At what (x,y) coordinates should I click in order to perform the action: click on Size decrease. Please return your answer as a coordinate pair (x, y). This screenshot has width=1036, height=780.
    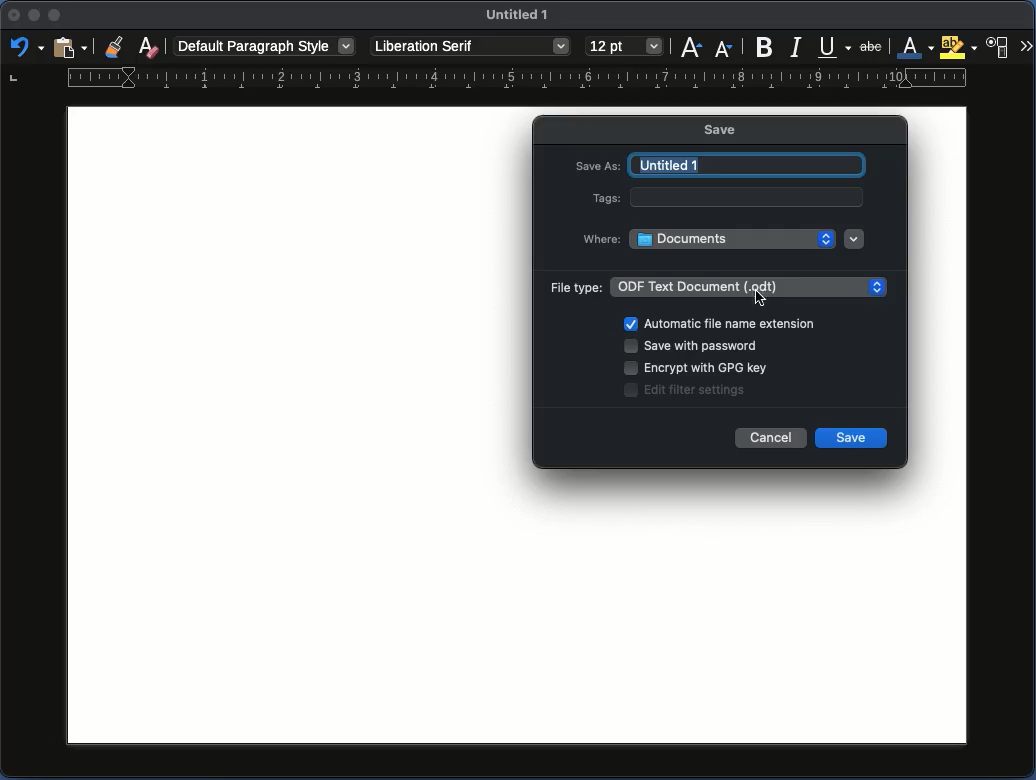
    Looking at the image, I should click on (724, 46).